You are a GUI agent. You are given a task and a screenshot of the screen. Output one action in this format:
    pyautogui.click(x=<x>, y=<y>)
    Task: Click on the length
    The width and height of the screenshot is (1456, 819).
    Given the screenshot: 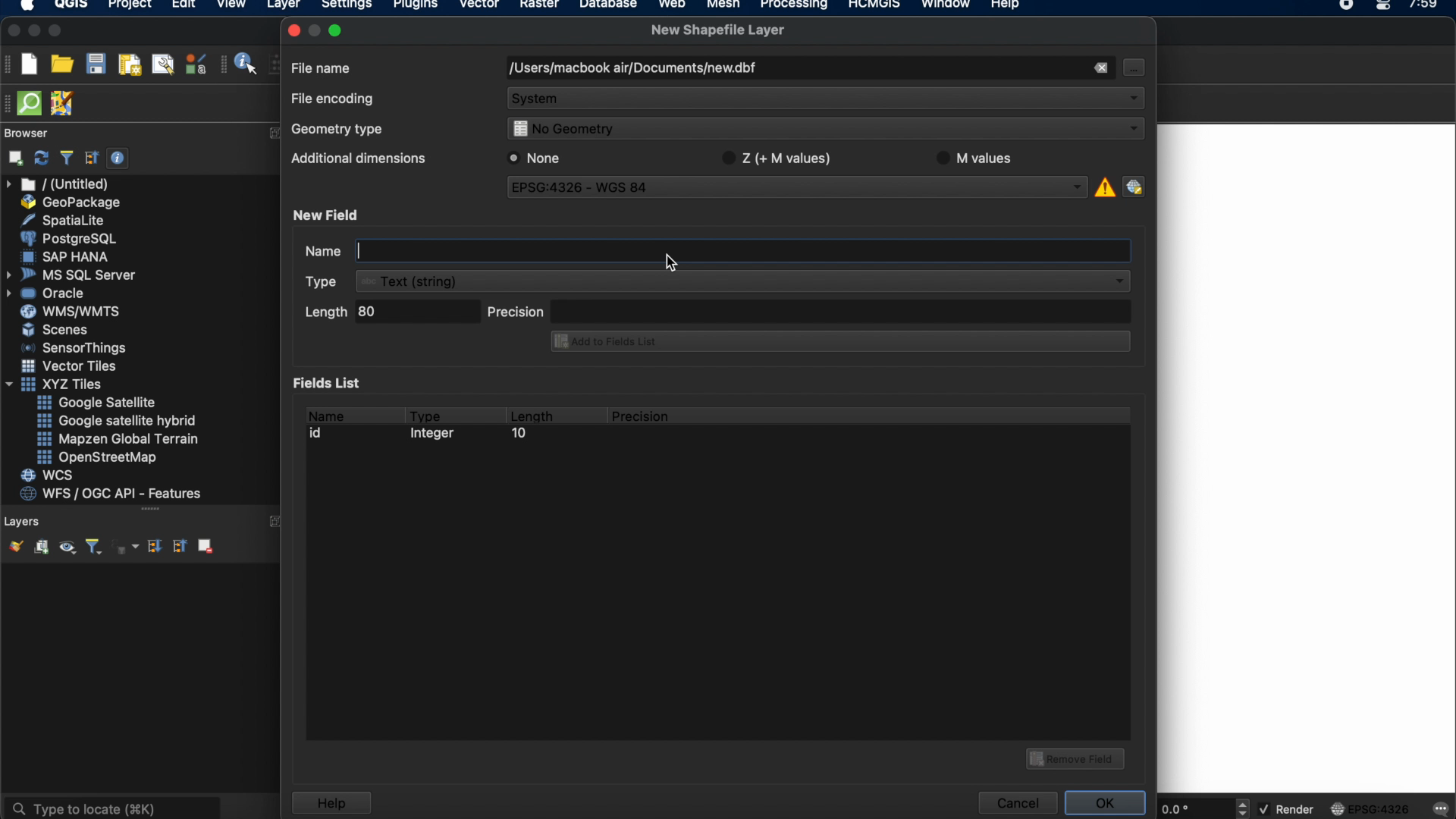 What is the action you would take?
    pyautogui.click(x=531, y=413)
    